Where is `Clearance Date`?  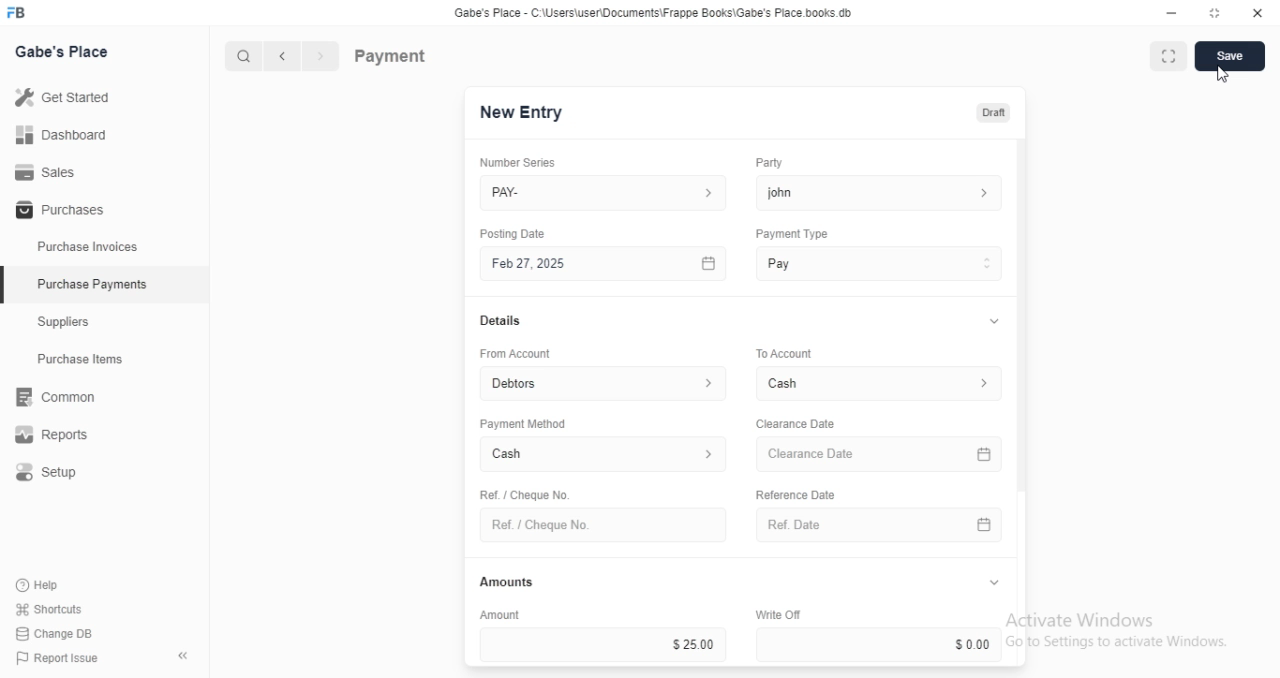
Clearance Date is located at coordinates (794, 424).